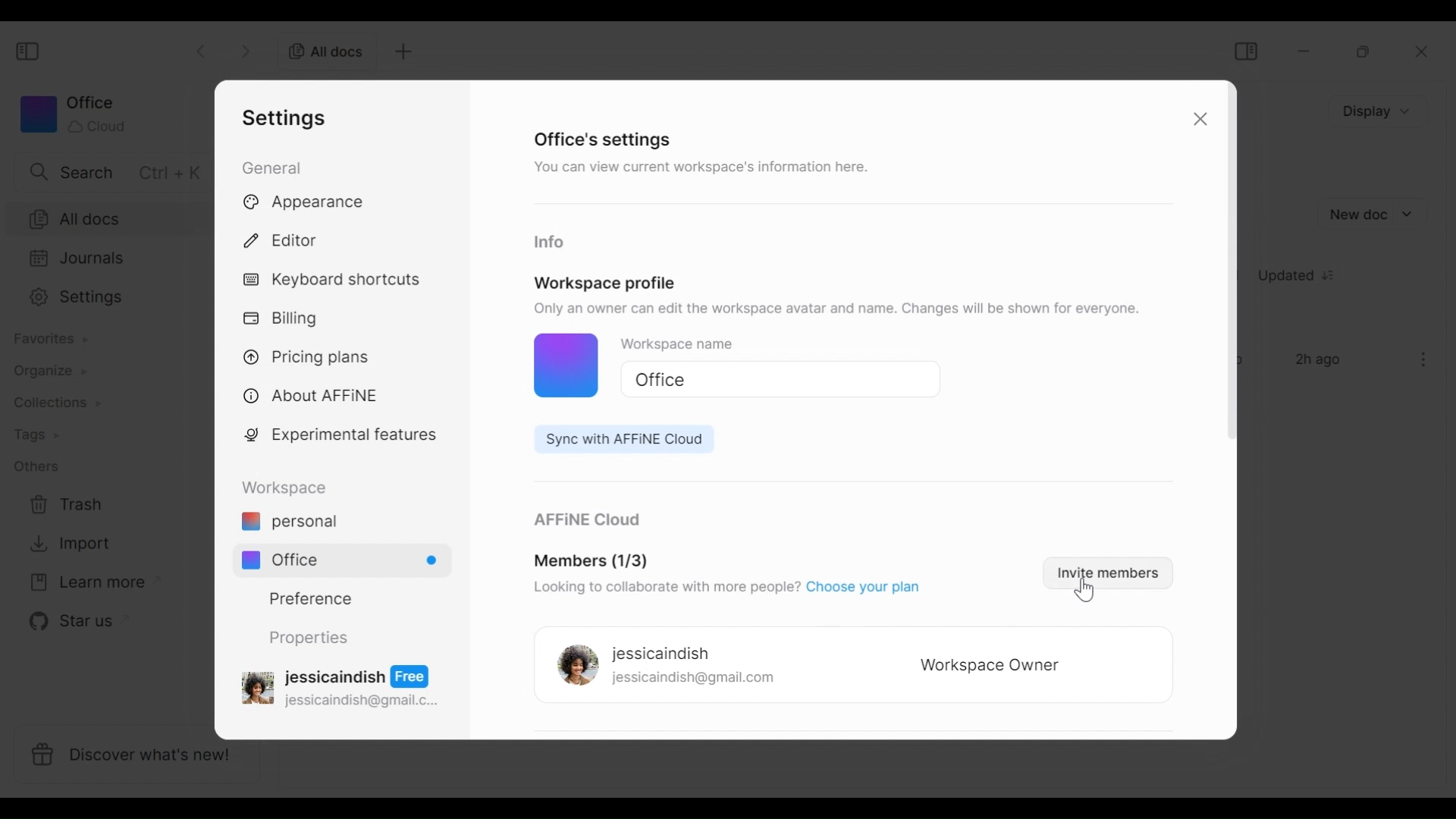 This screenshot has height=819, width=1456. I want to click on Favorites, so click(49, 339).